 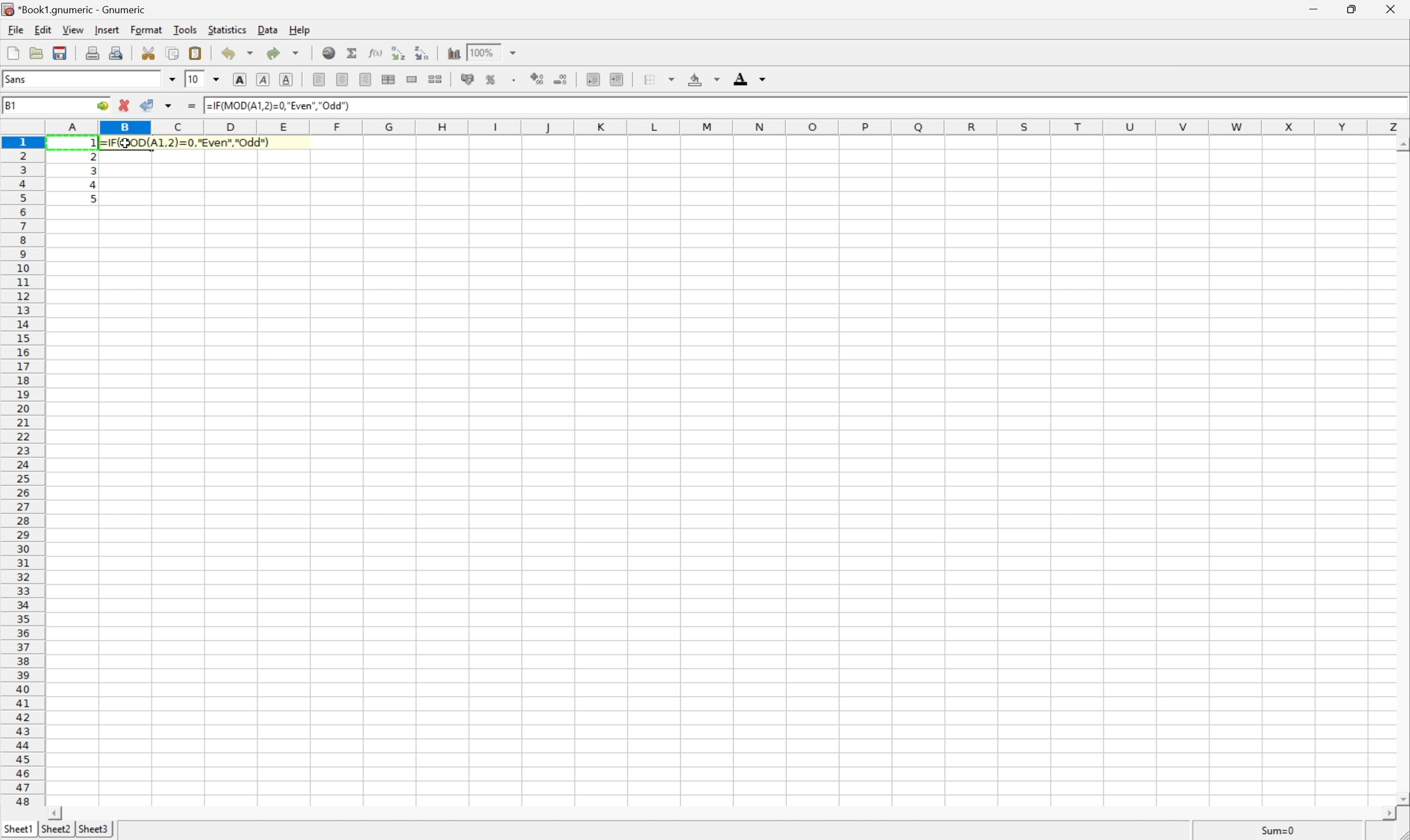 What do you see at coordinates (15, 31) in the screenshot?
I see `File` at bounding box center [15, 31].